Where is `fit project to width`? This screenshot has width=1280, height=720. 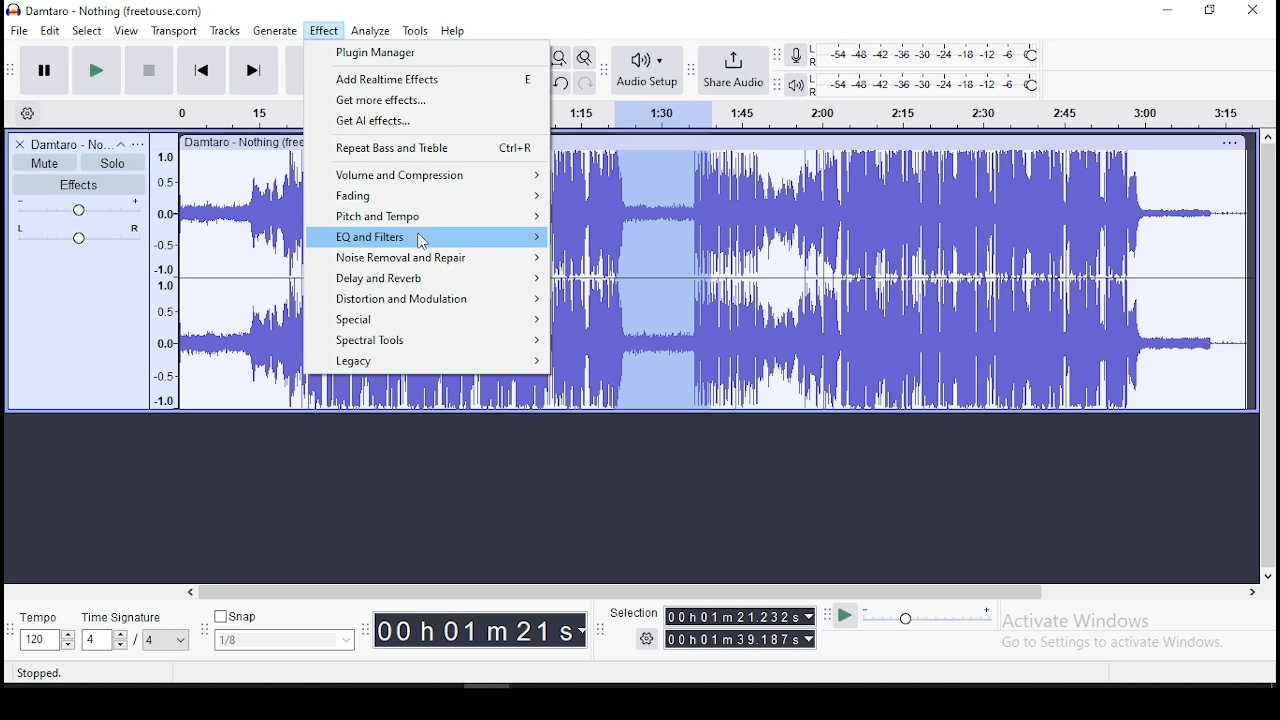
fit project to width is located at coordinates (559, 57).